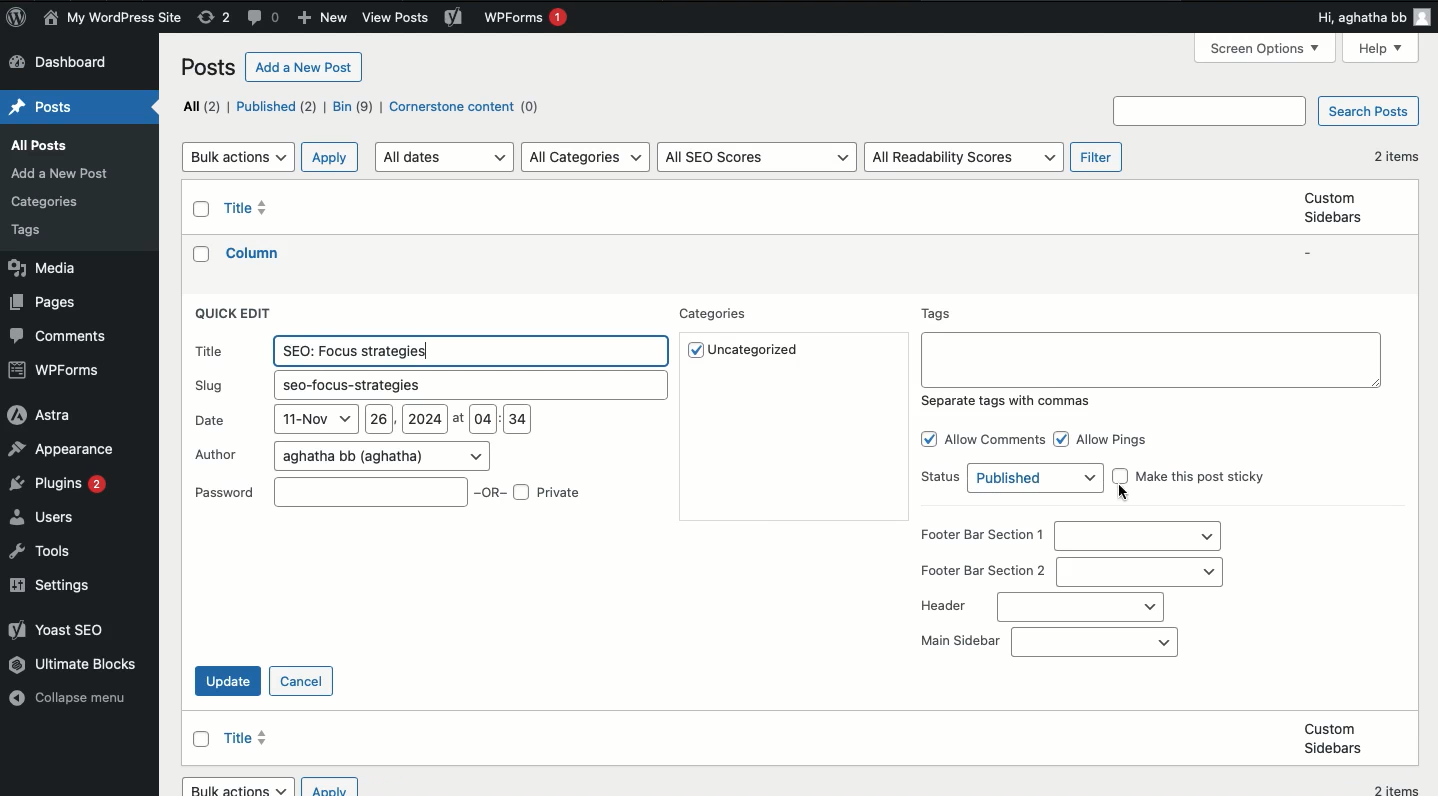 Image resolution: width=1438 pixels, height=796 pixels. Describe the element at coordinates (467, 383) in the screenshot. I see `Slug` at that location.